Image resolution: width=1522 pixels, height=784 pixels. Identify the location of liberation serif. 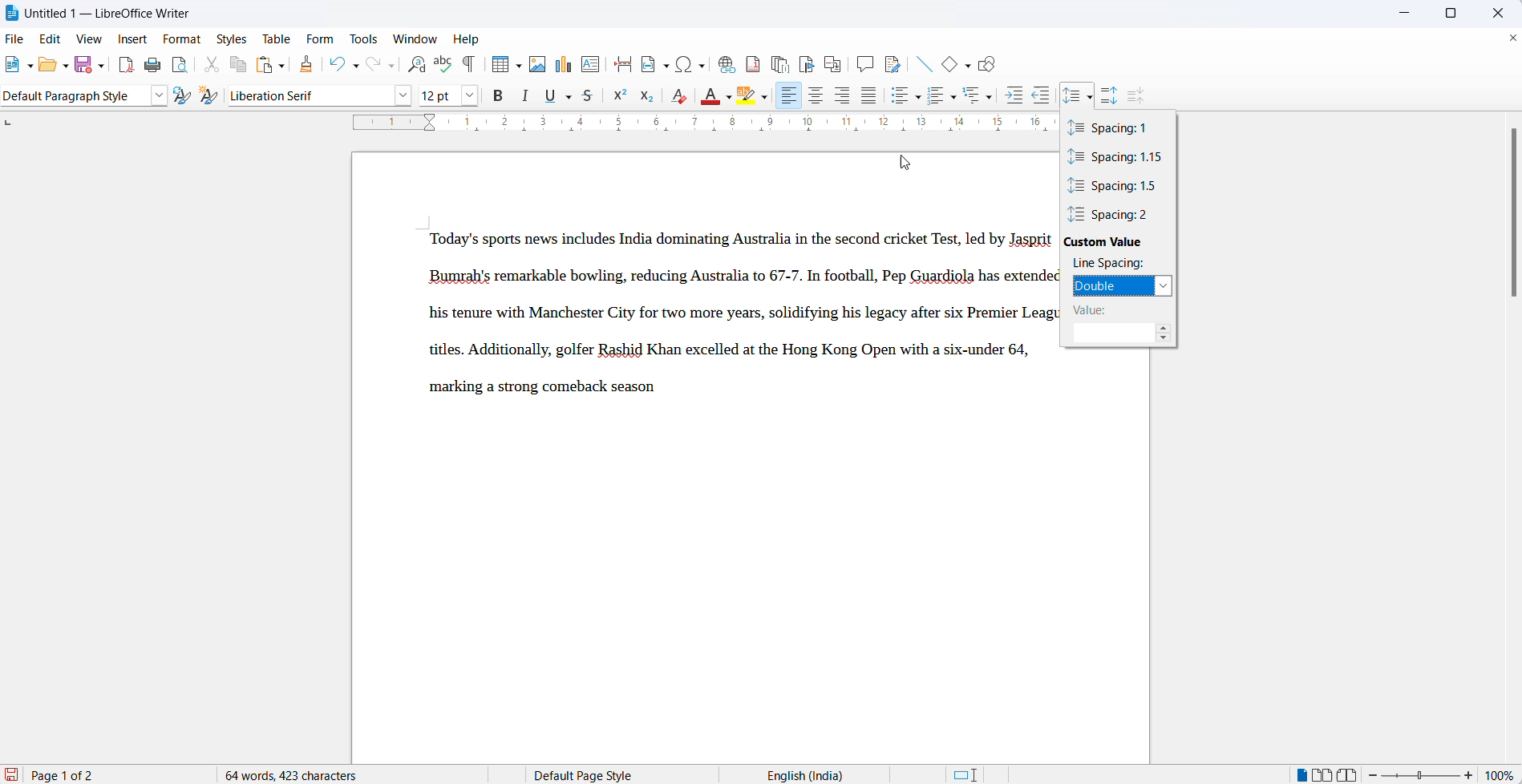
(322, 94).